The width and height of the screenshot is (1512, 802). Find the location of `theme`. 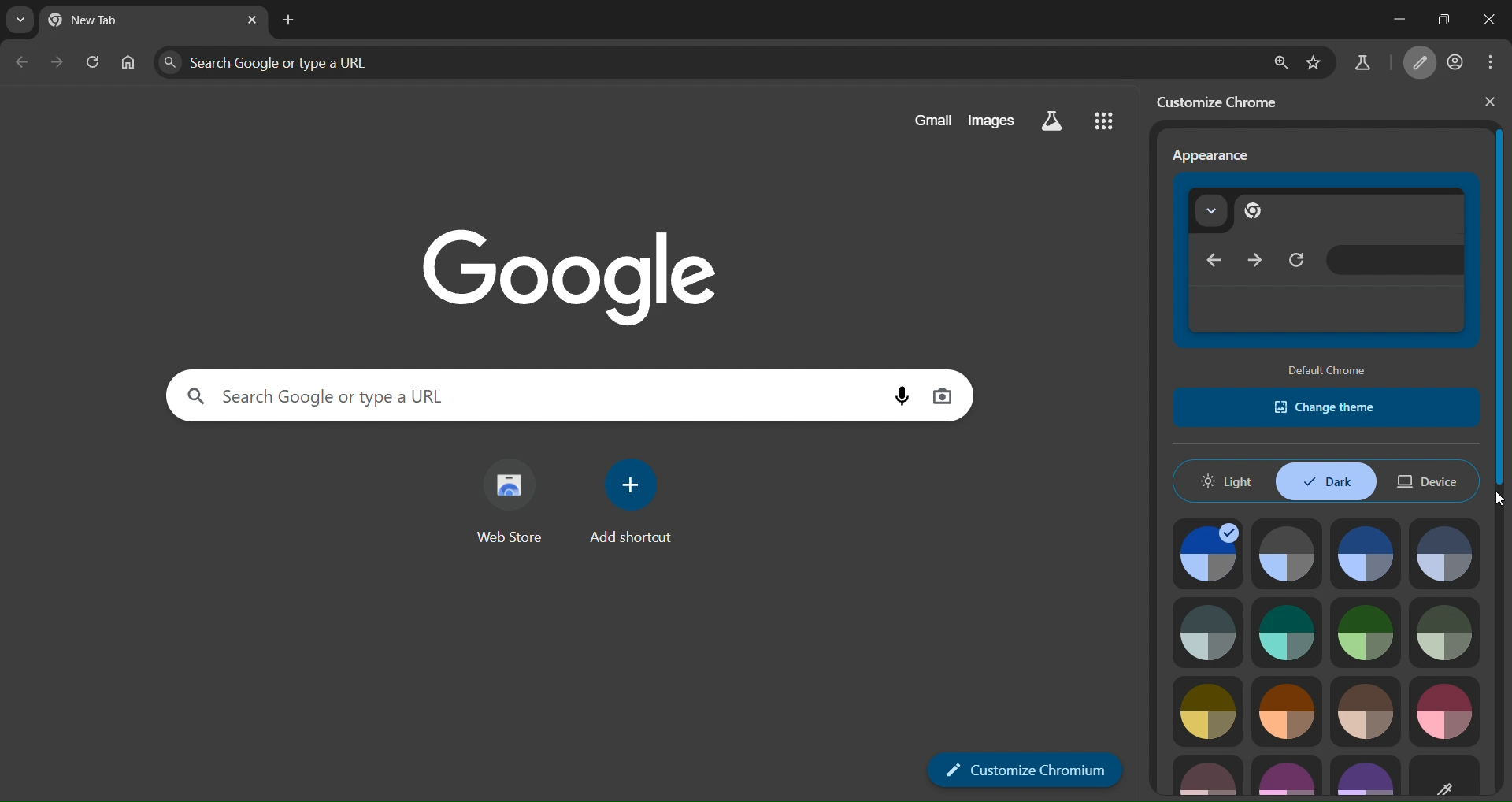

theme is located at coordinates (1288, 713).